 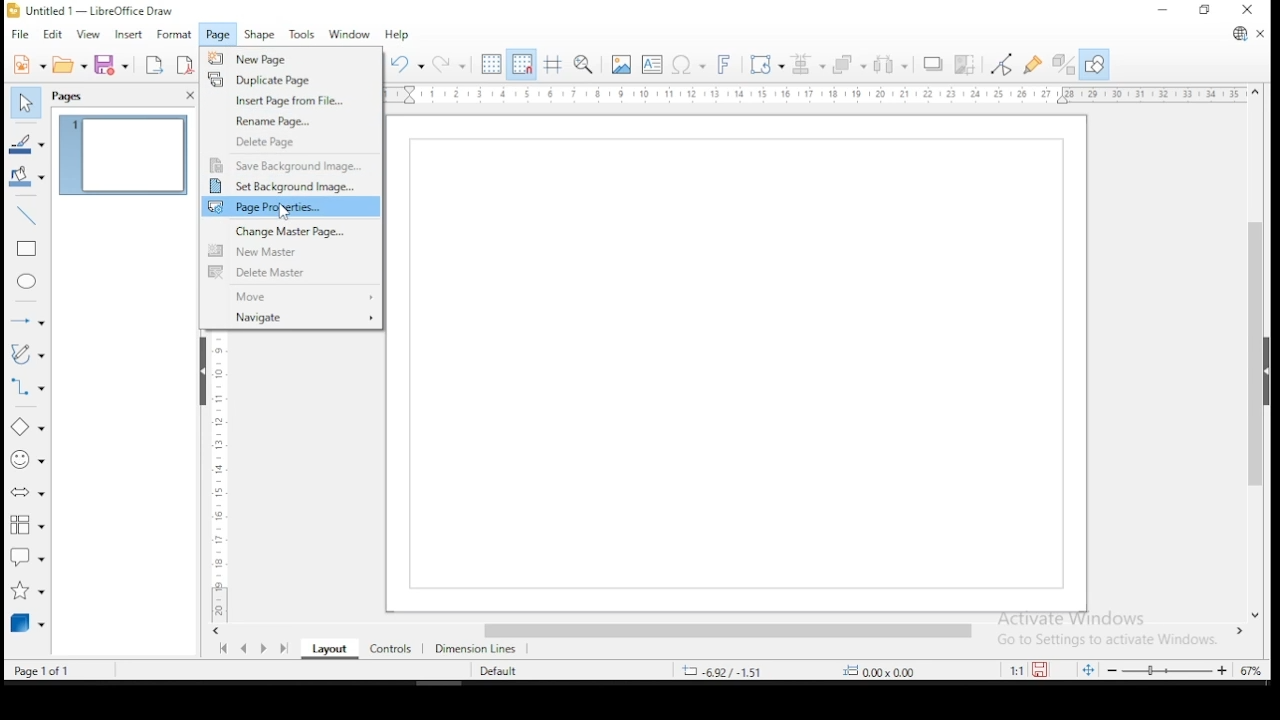 What do you see at coordinates (524, 66) in the screenshot?
I see `snap to grids` at bounding box center [524, 66].